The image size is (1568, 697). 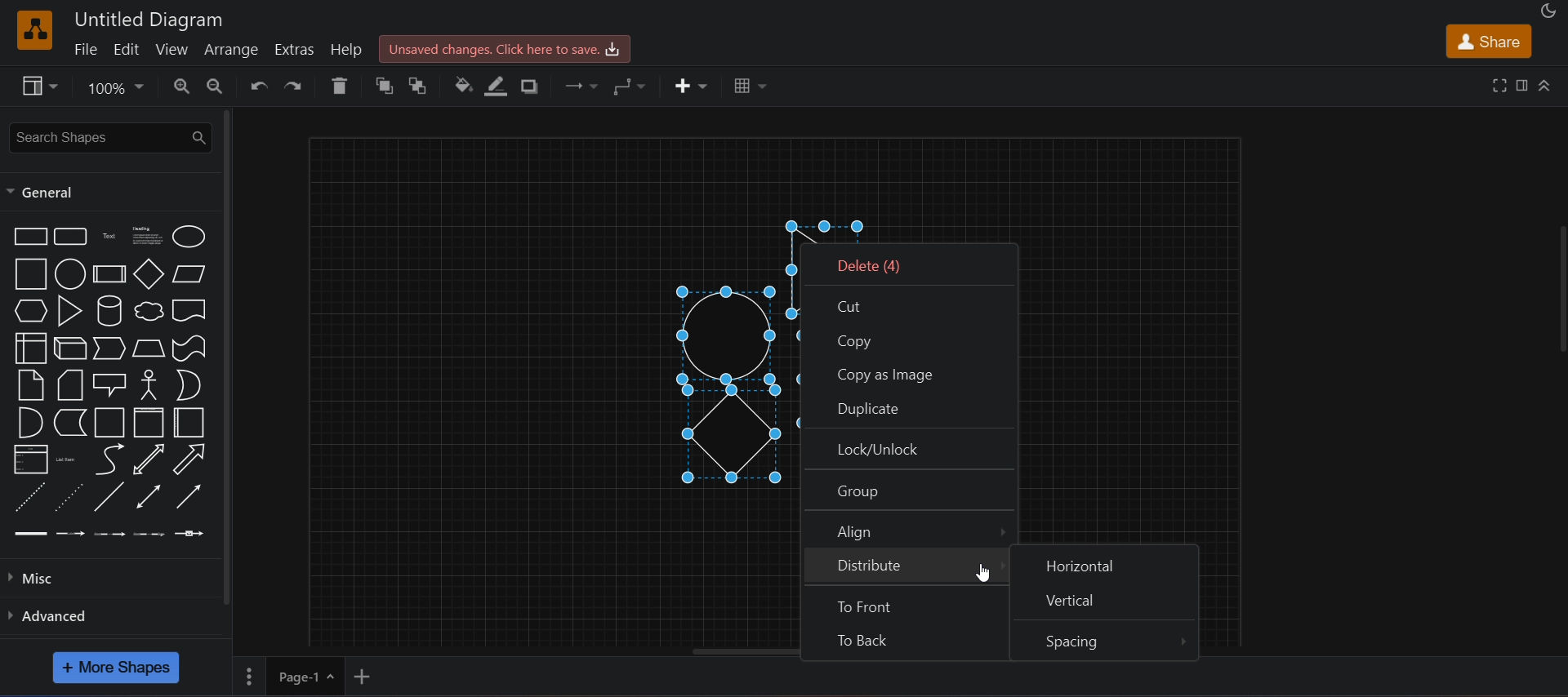 I want to click on more shapes, so click(x=116, y=667).